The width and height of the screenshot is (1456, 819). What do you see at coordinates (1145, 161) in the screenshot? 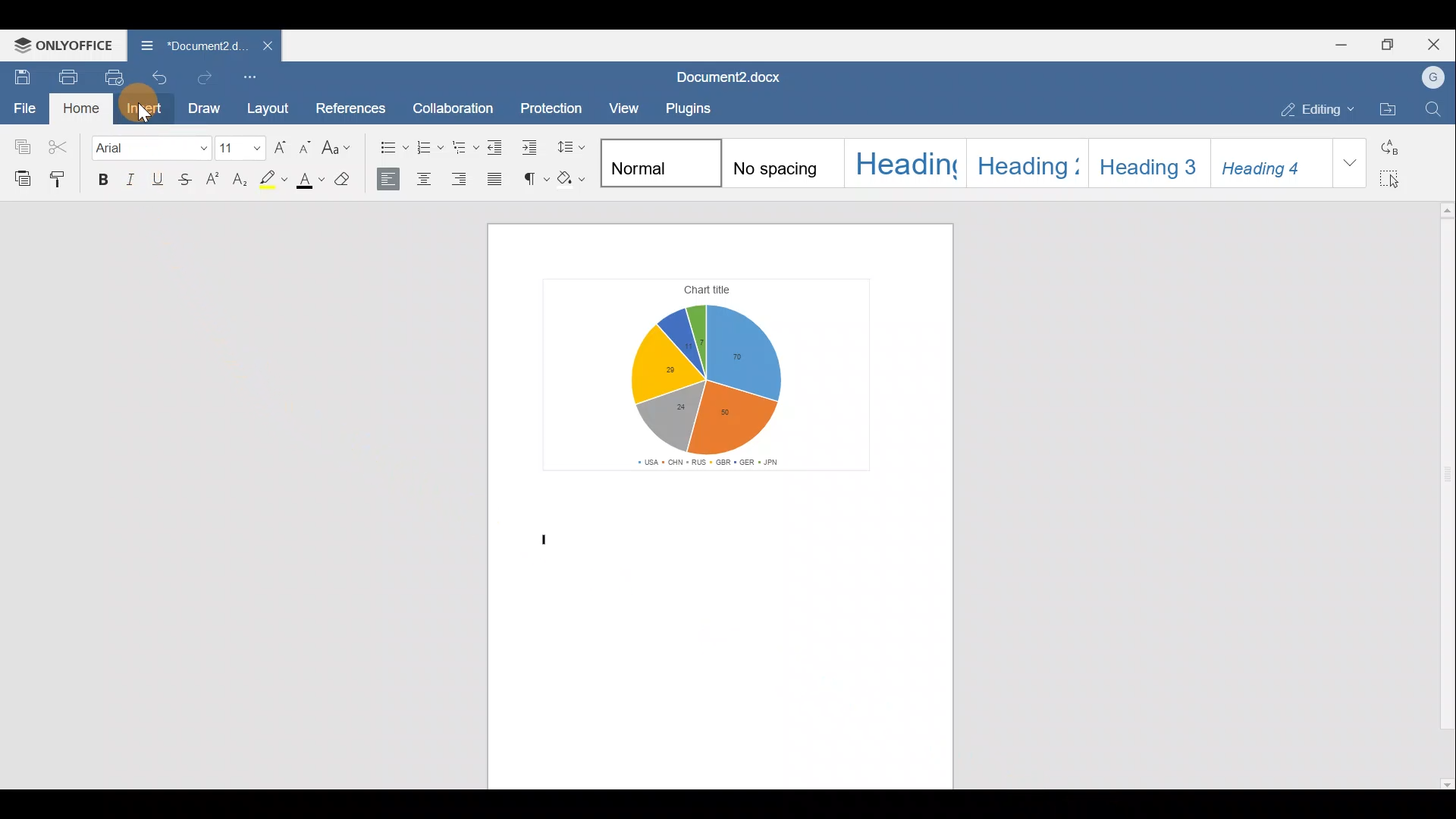
I see `Style 5` at bounding box center [1145, 161].